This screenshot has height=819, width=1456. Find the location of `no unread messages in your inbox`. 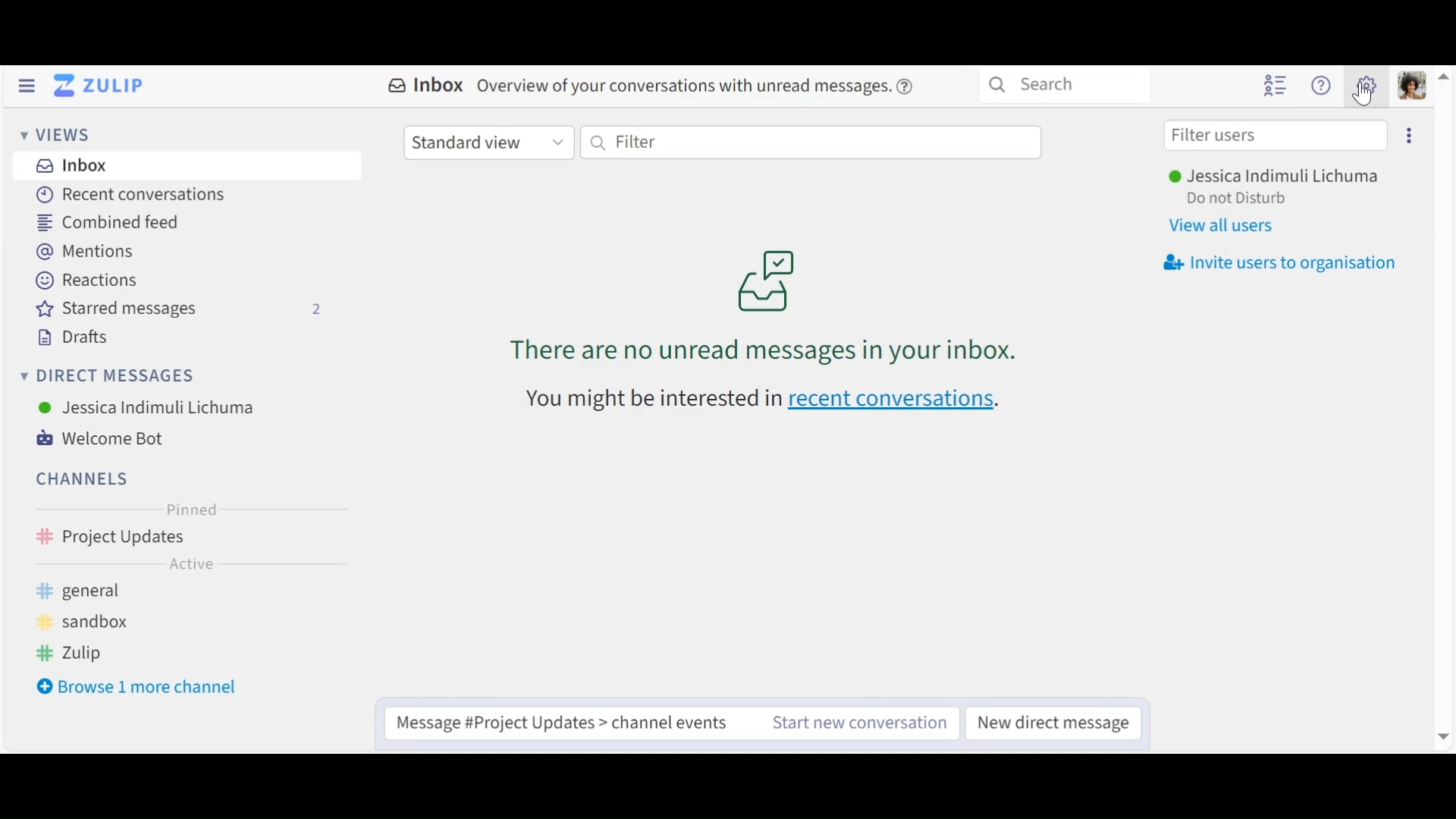

no unread messages in your inbox is located at coordinates (784, 291).